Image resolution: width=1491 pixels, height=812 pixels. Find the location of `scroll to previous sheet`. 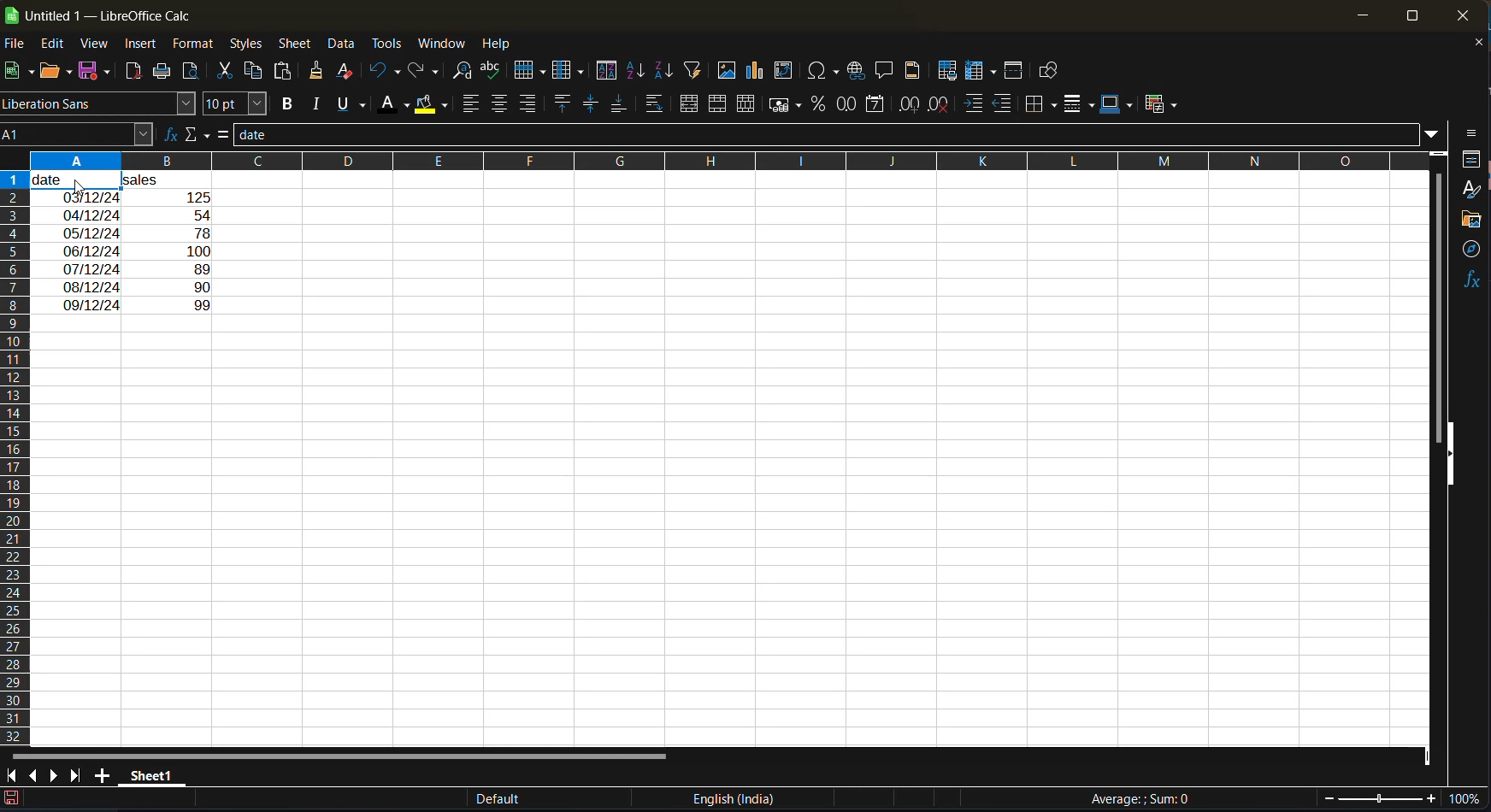

scroll to previous sheet is located at coordinates (33, 774).